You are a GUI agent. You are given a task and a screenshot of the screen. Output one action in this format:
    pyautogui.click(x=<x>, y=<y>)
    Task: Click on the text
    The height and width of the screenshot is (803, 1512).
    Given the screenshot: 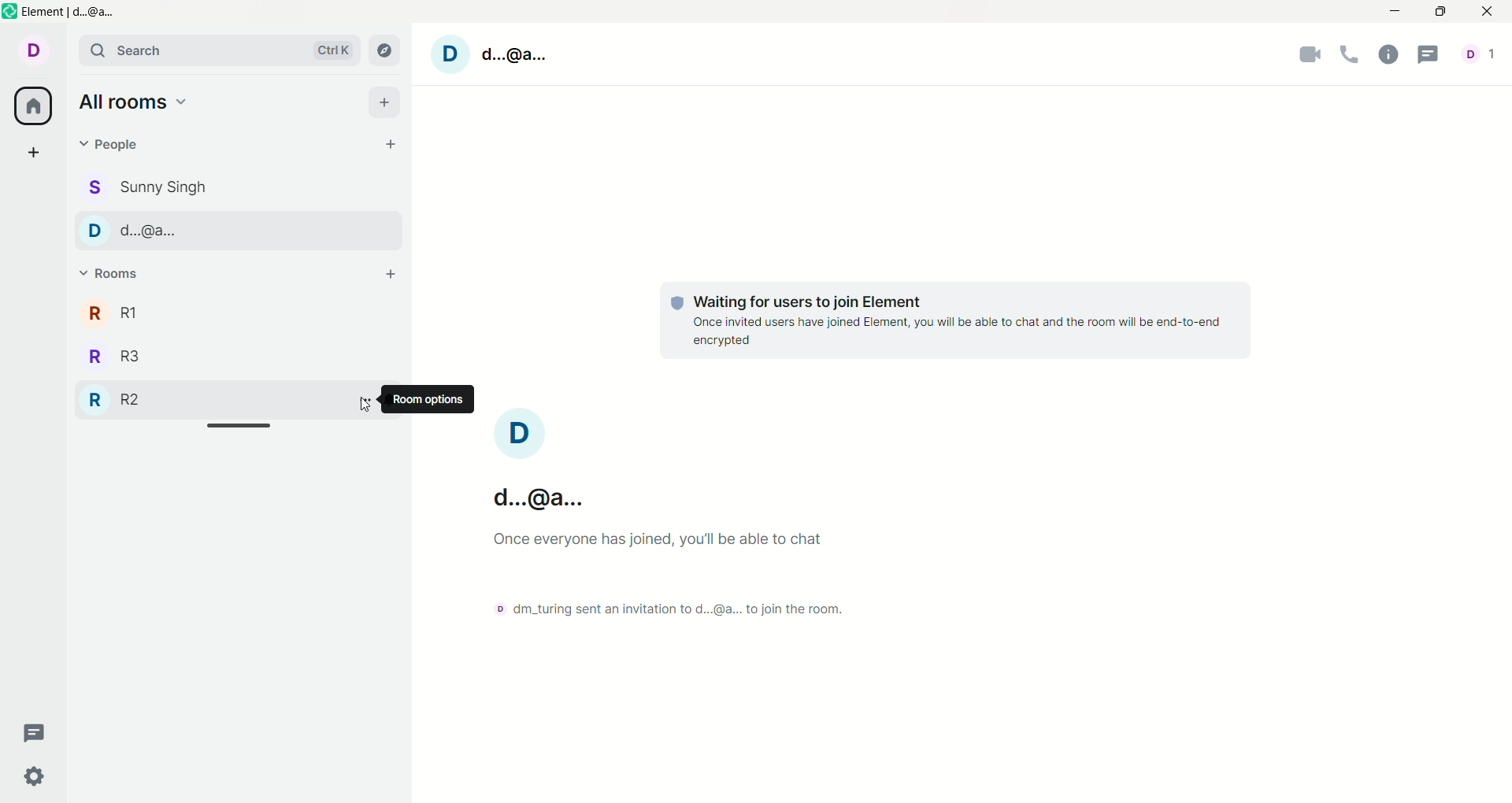 What is the action you would take?
    pyautogui.click(x=955, y=316)
    